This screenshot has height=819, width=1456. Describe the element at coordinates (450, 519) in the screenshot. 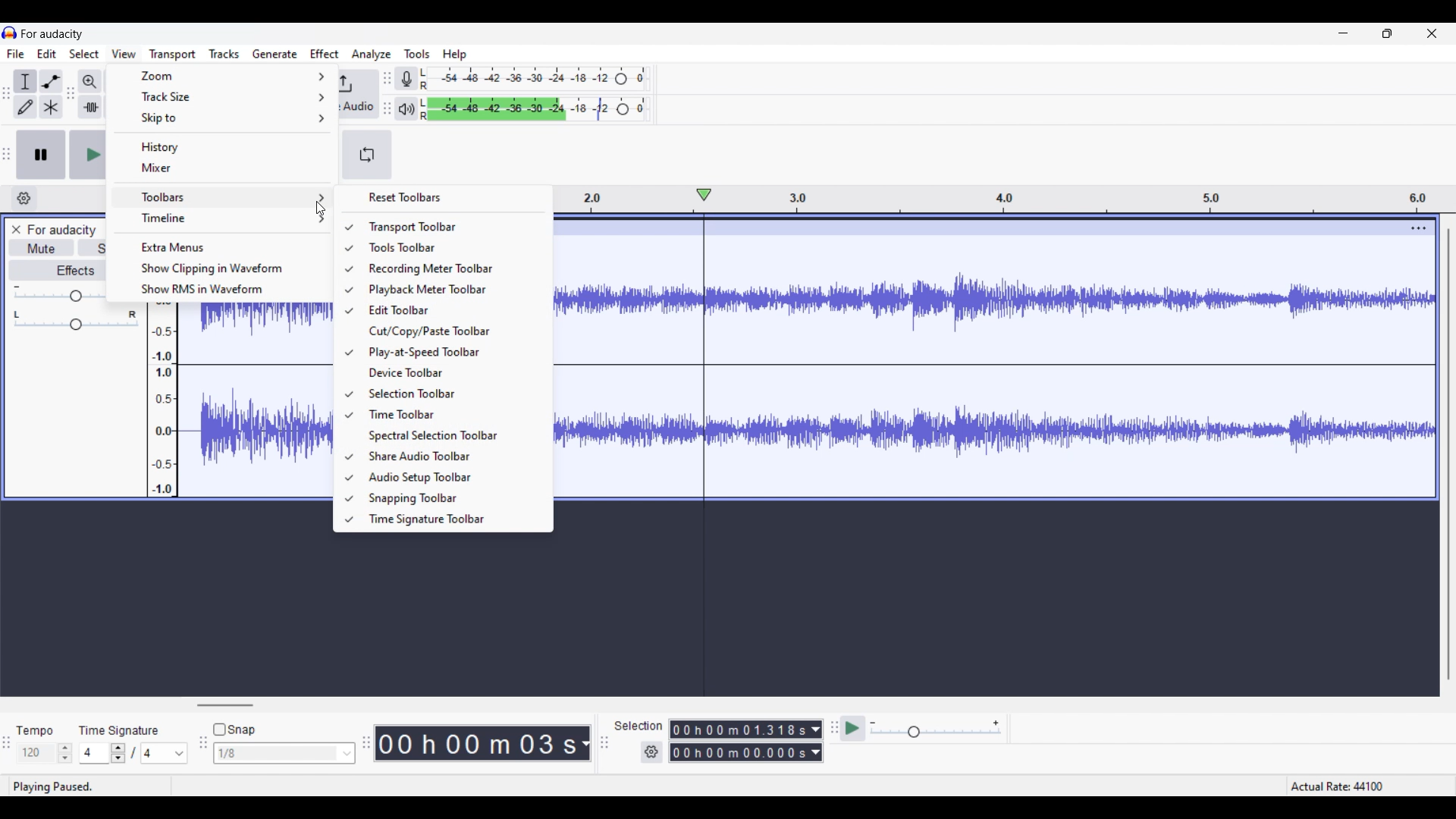

I see `Time signature toolbar` at that location.